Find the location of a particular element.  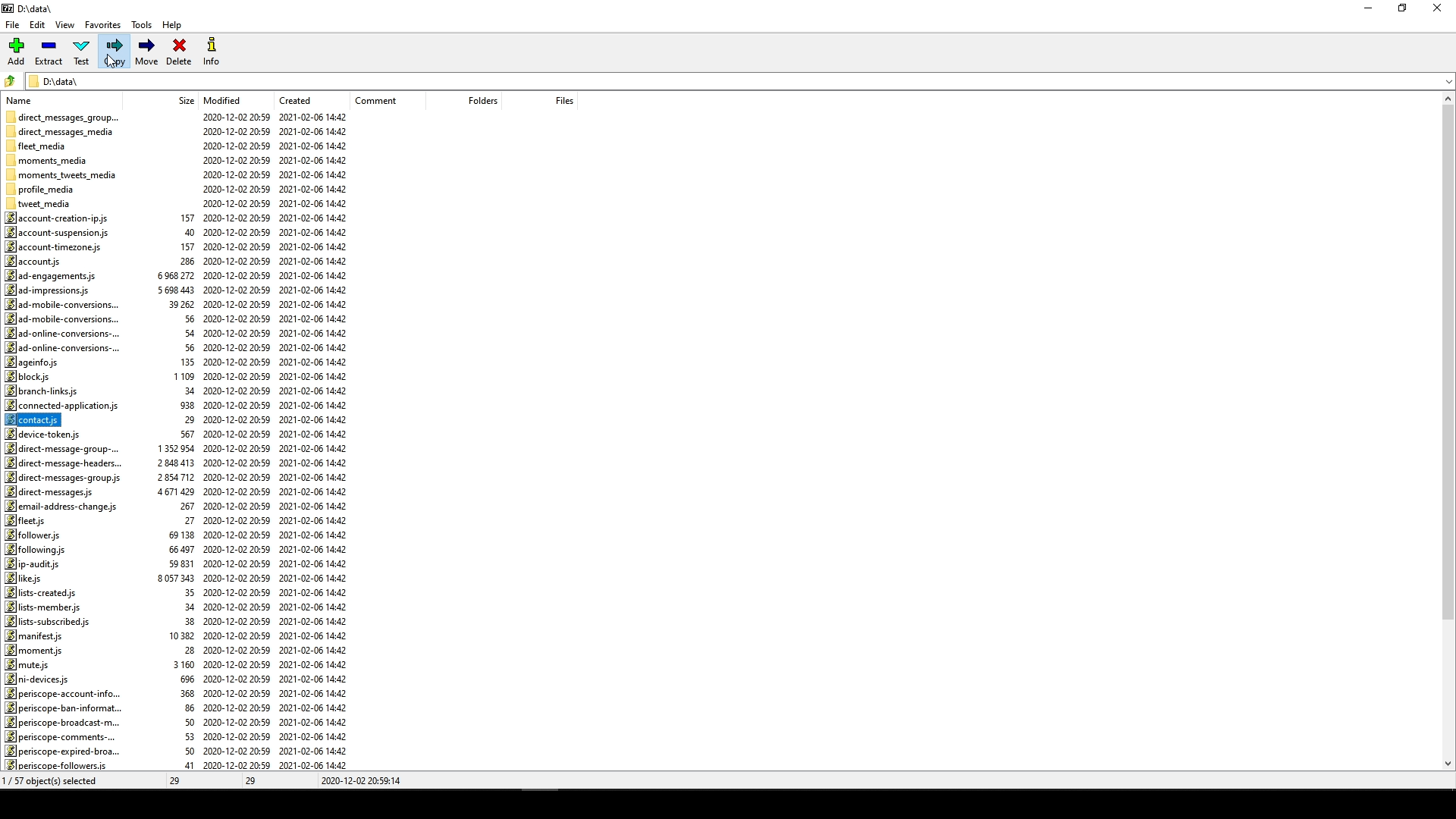

moments_media is located at coordinates (52, 158).